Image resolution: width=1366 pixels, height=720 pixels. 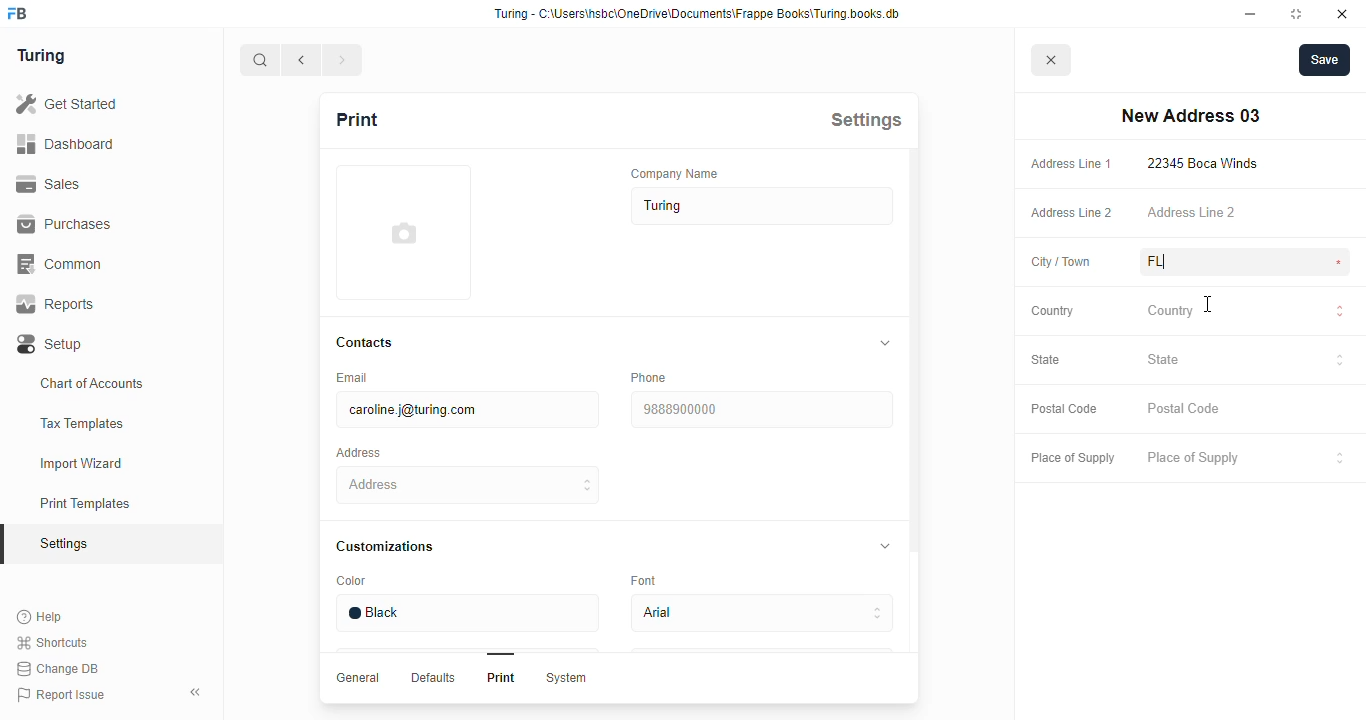 What do you see at coordinates (66, 104) in the screenshot?
I see `get started` at bounding box center [66, 104].